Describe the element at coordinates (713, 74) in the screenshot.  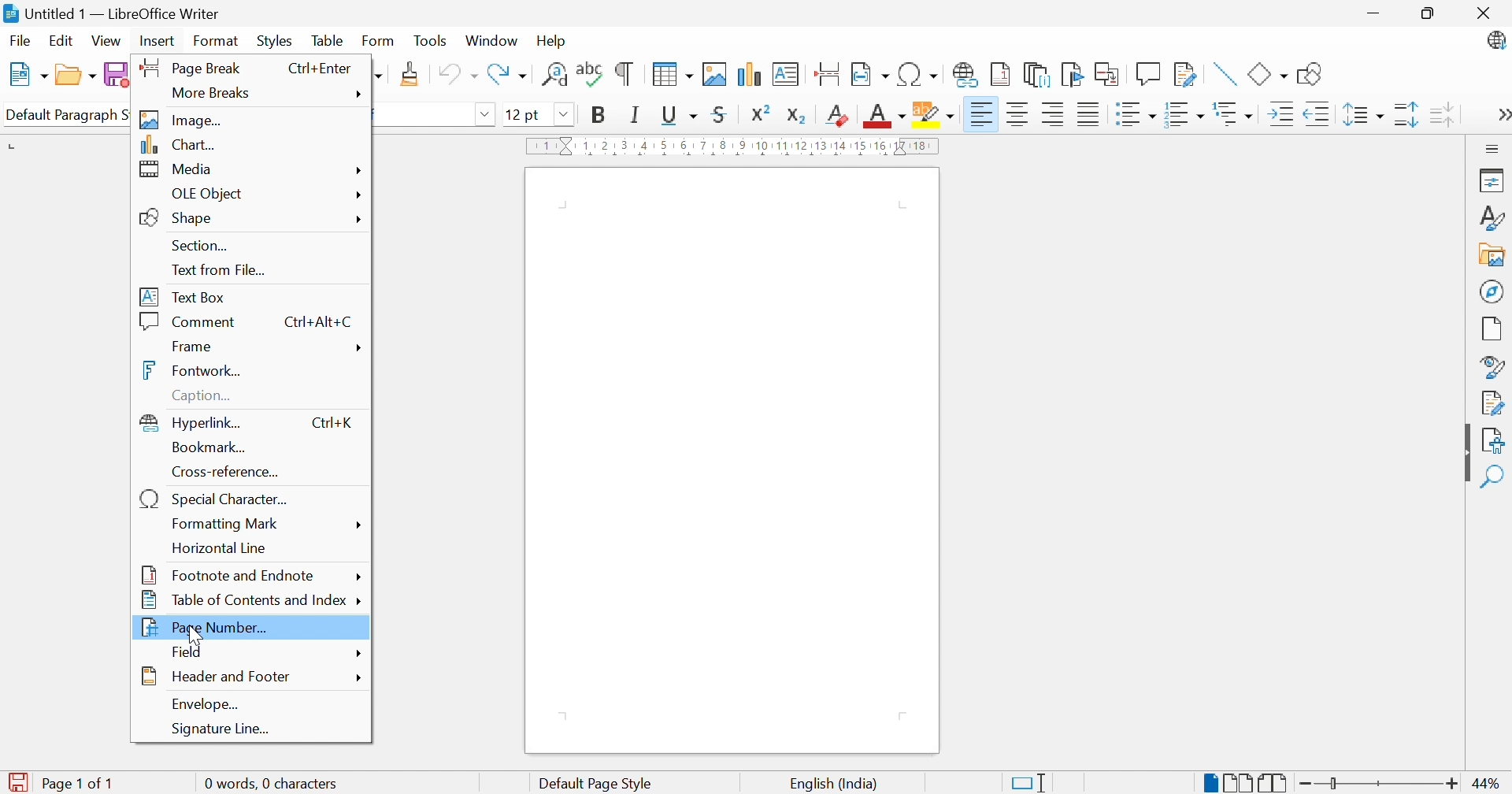
I see `Insert image` at that location.